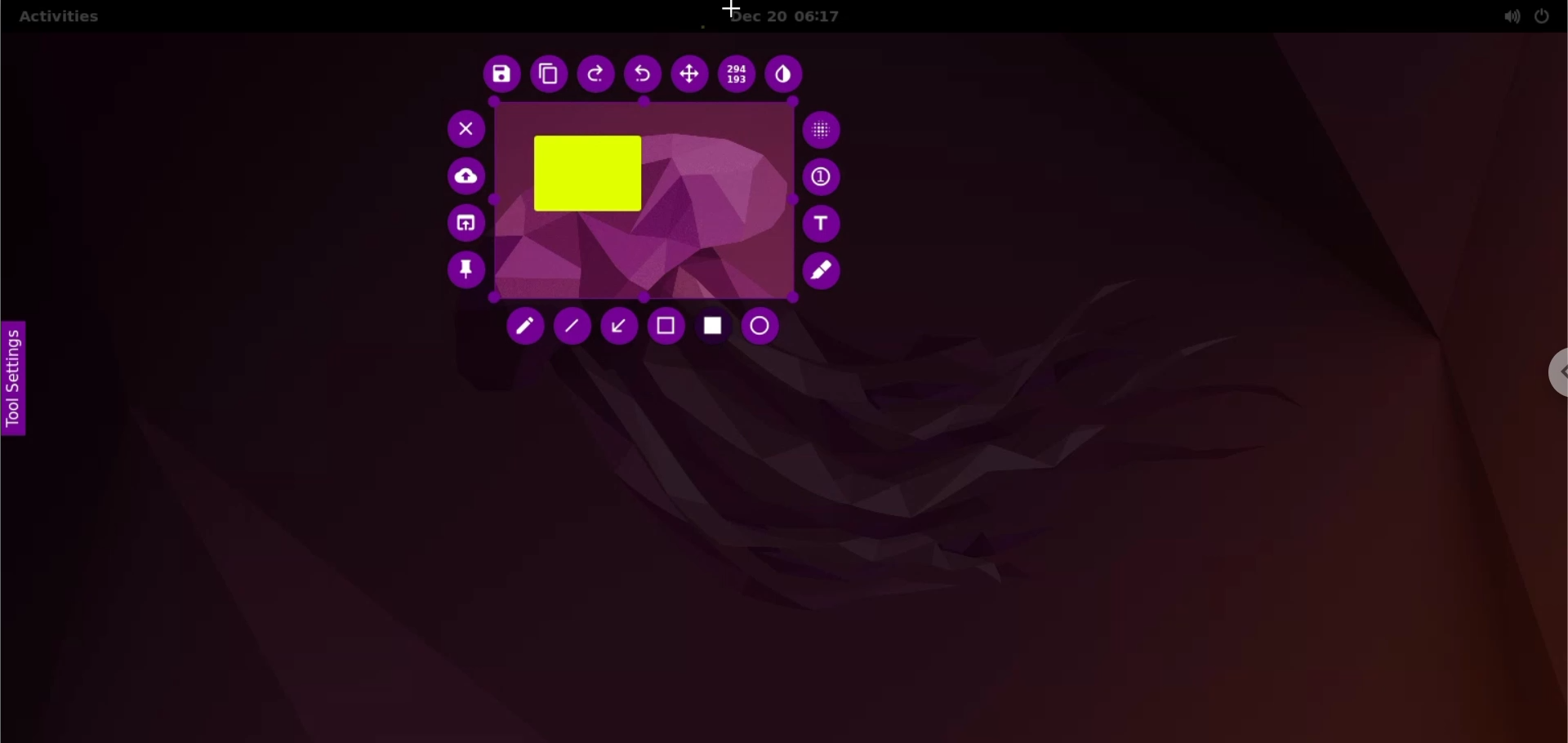 The image size is (1568, 743). Describe the element at coordinates (595, 75) in the screenshot. I see `redo` at that location.